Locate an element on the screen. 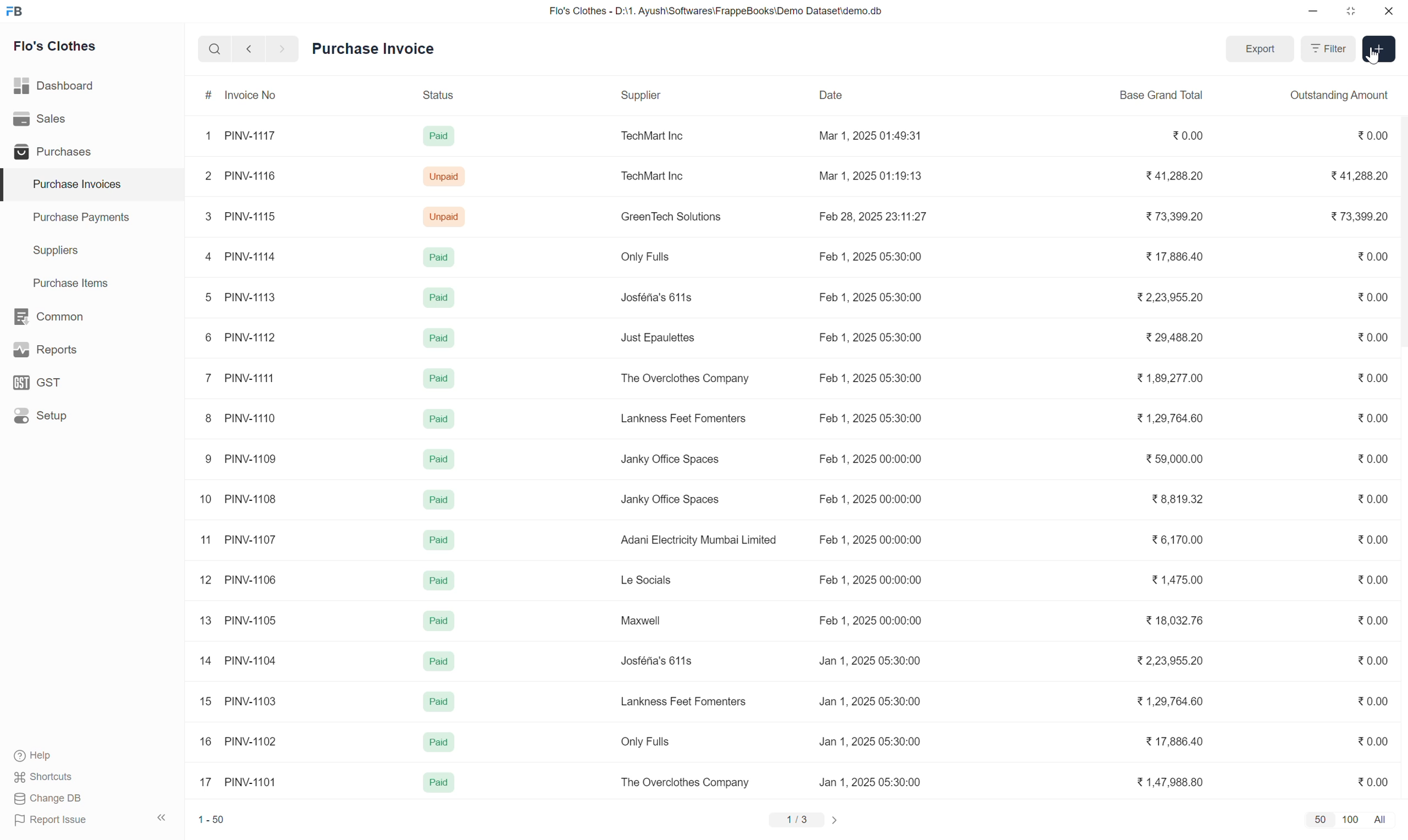 This screenshot has height=840, width=1408. 3 PINV-1115 is located at coordinates (241, 216).